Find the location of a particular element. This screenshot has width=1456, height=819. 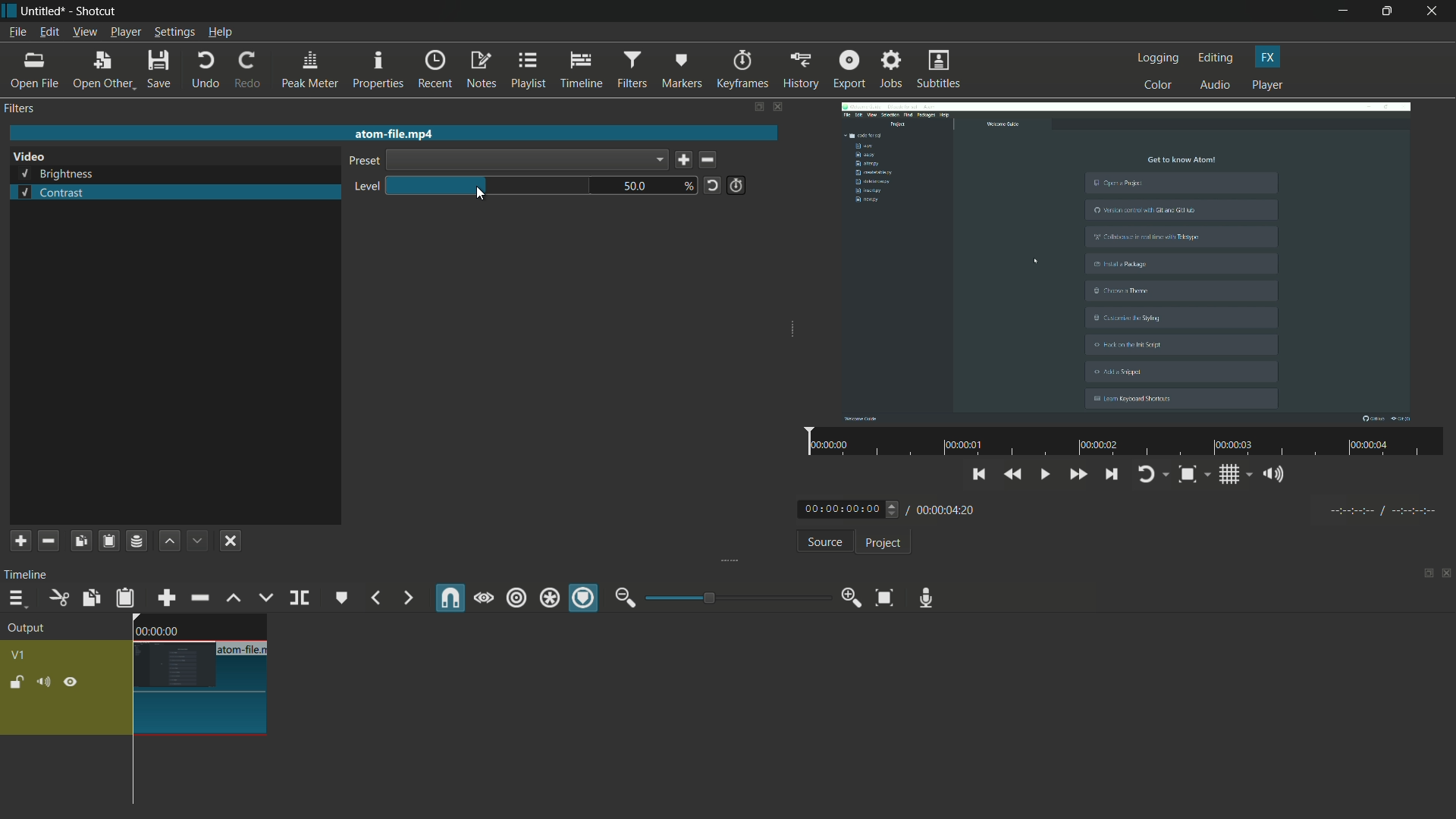

ripple delete is located at coordinates (199, 598).